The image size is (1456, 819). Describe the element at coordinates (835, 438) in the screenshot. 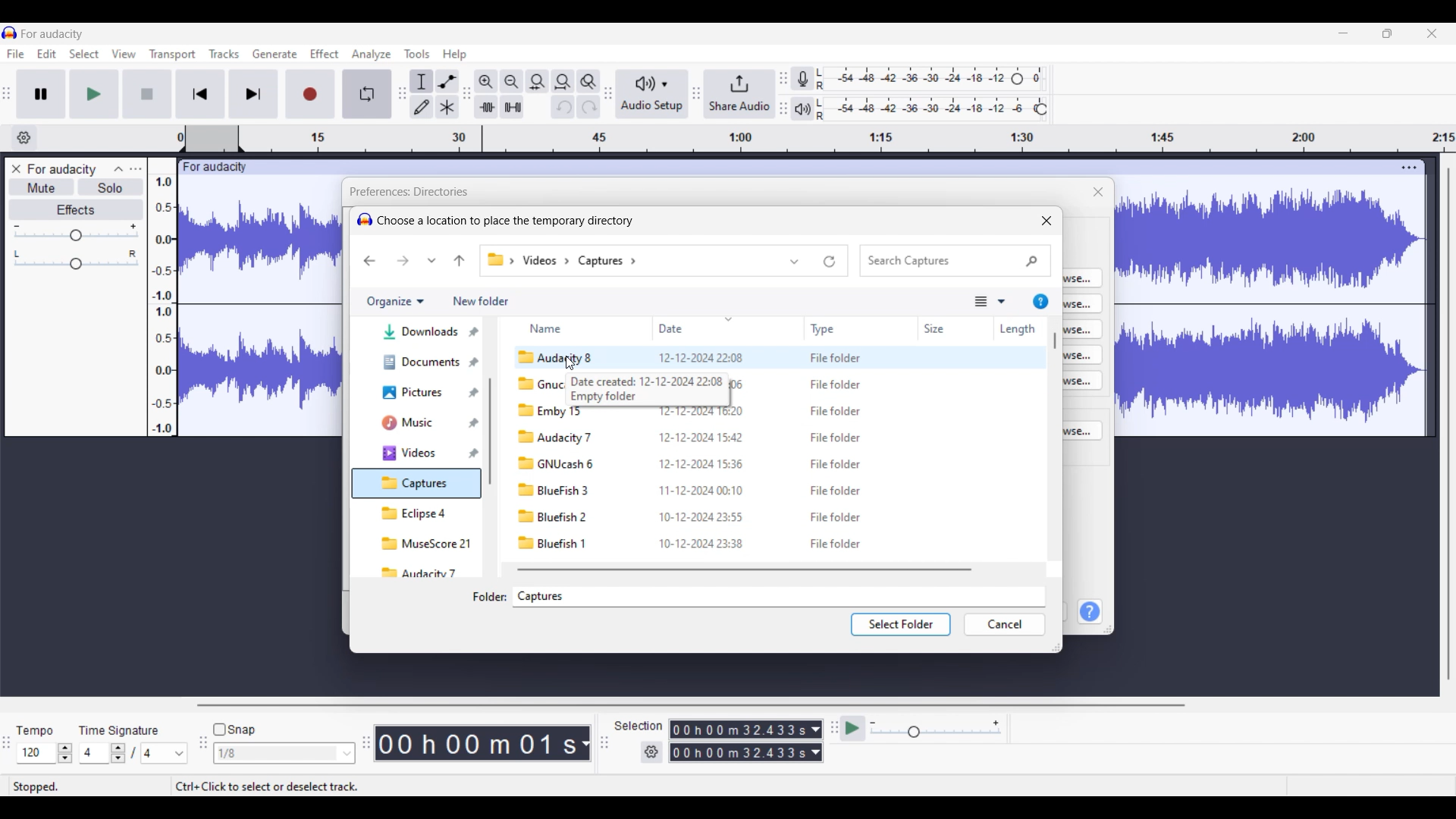

I see `file folder` at that location.